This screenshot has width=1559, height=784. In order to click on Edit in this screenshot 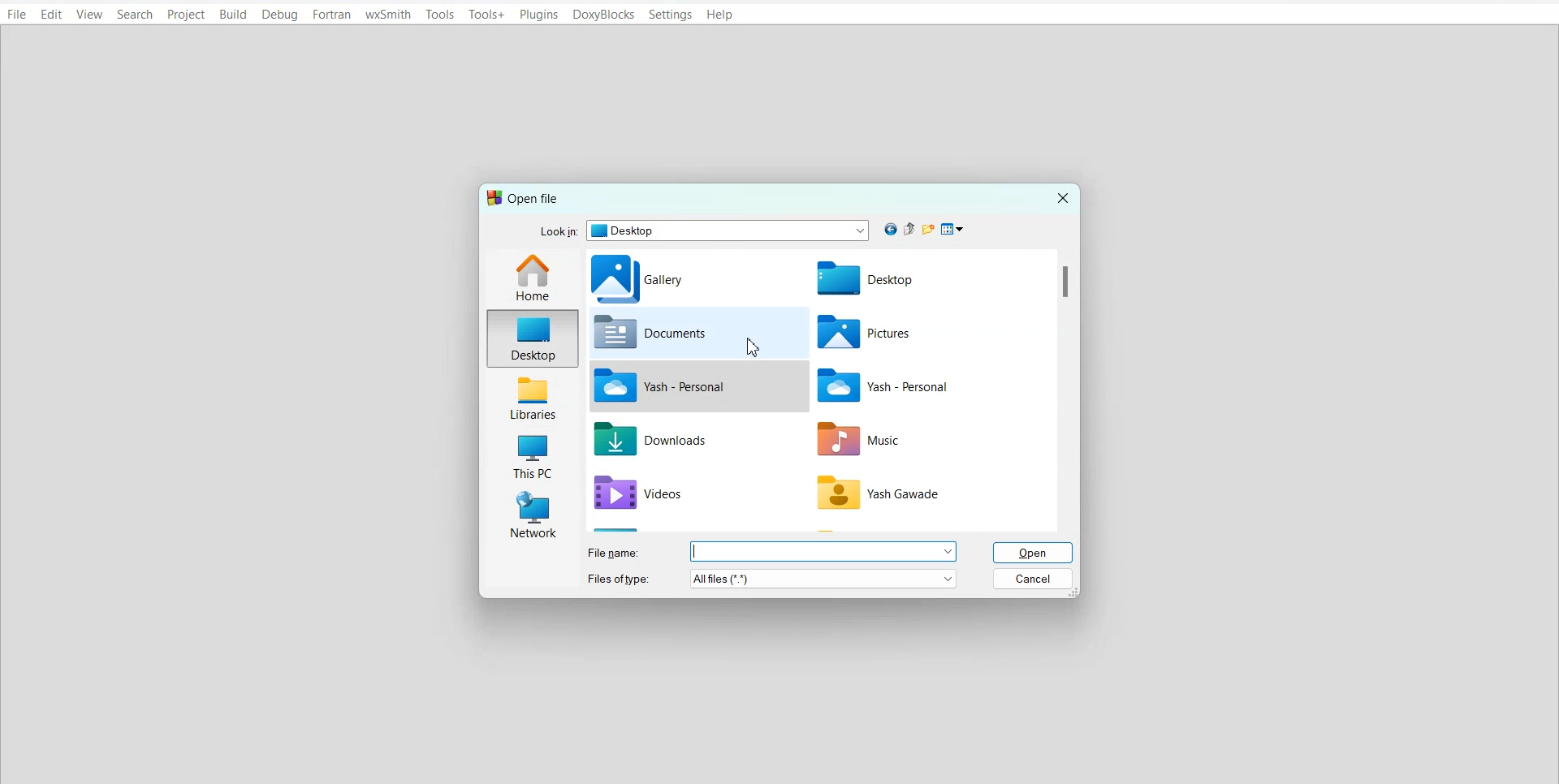, I will do `click(51, 14)`.